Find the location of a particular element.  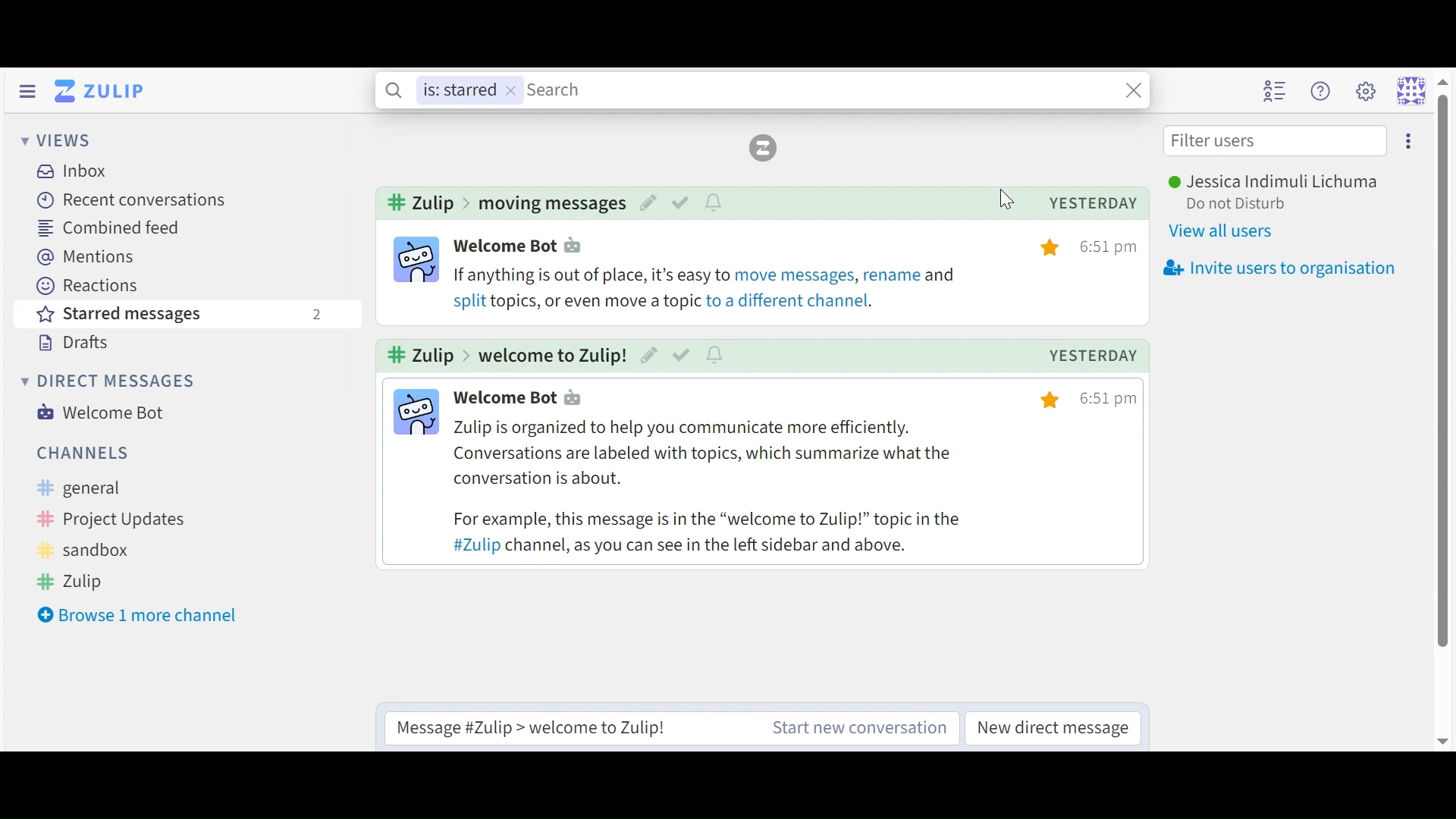

yesterday is located at coordinates (1094, 204).